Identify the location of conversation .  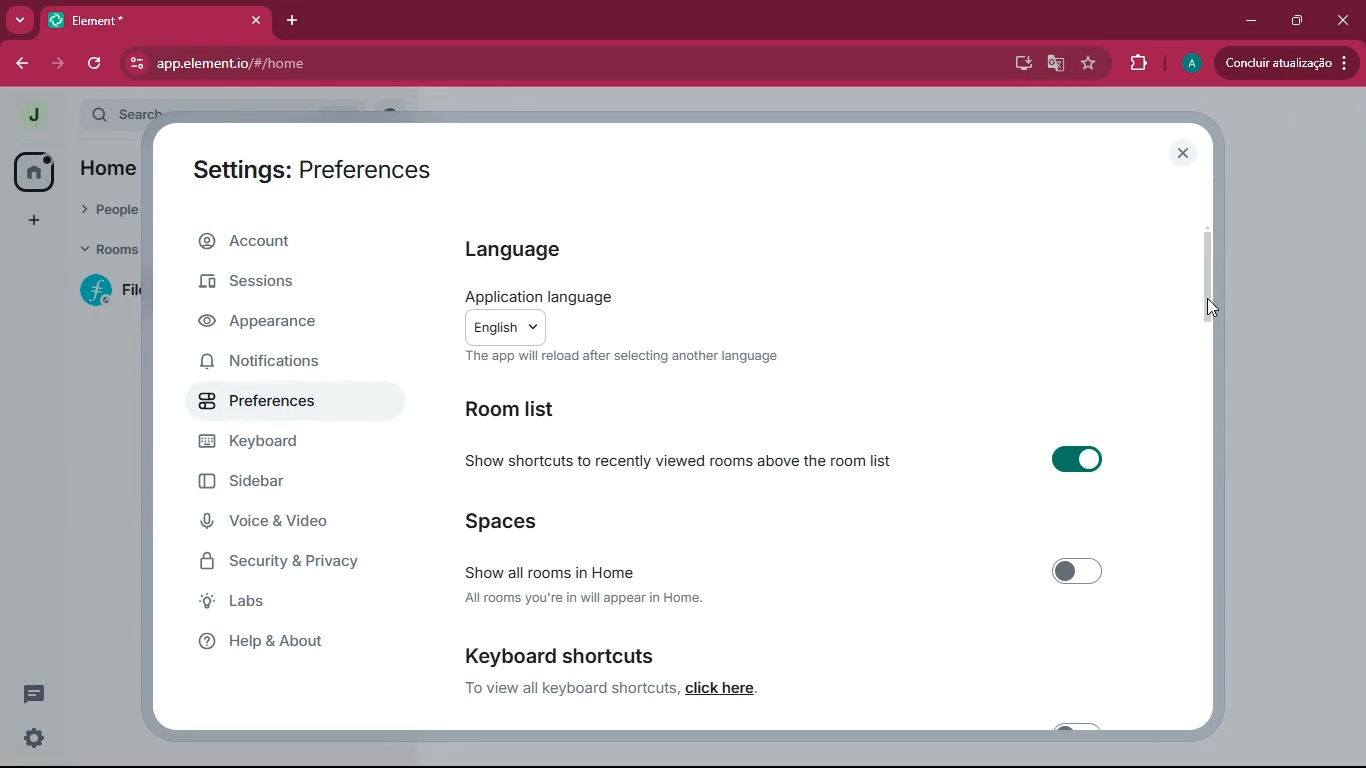
(32, 694).